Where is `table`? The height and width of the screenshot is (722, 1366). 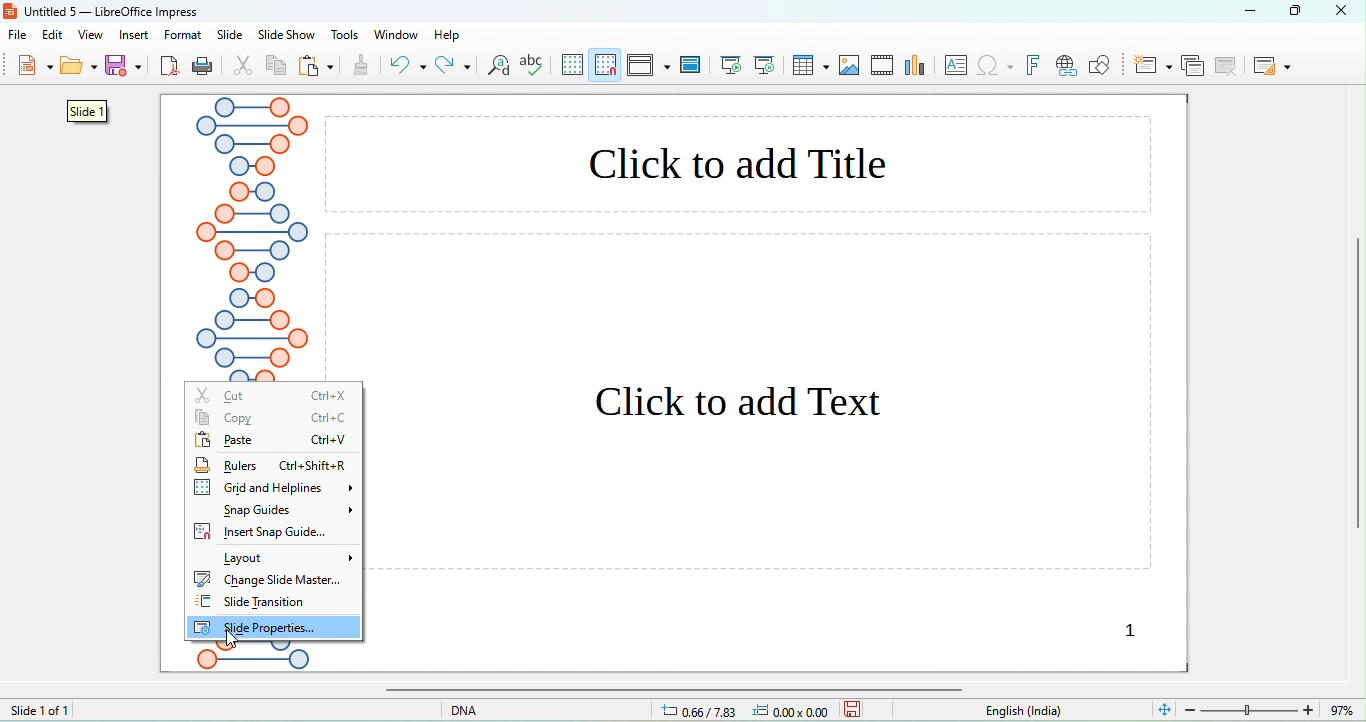
table is located at coordinates (810, 65).